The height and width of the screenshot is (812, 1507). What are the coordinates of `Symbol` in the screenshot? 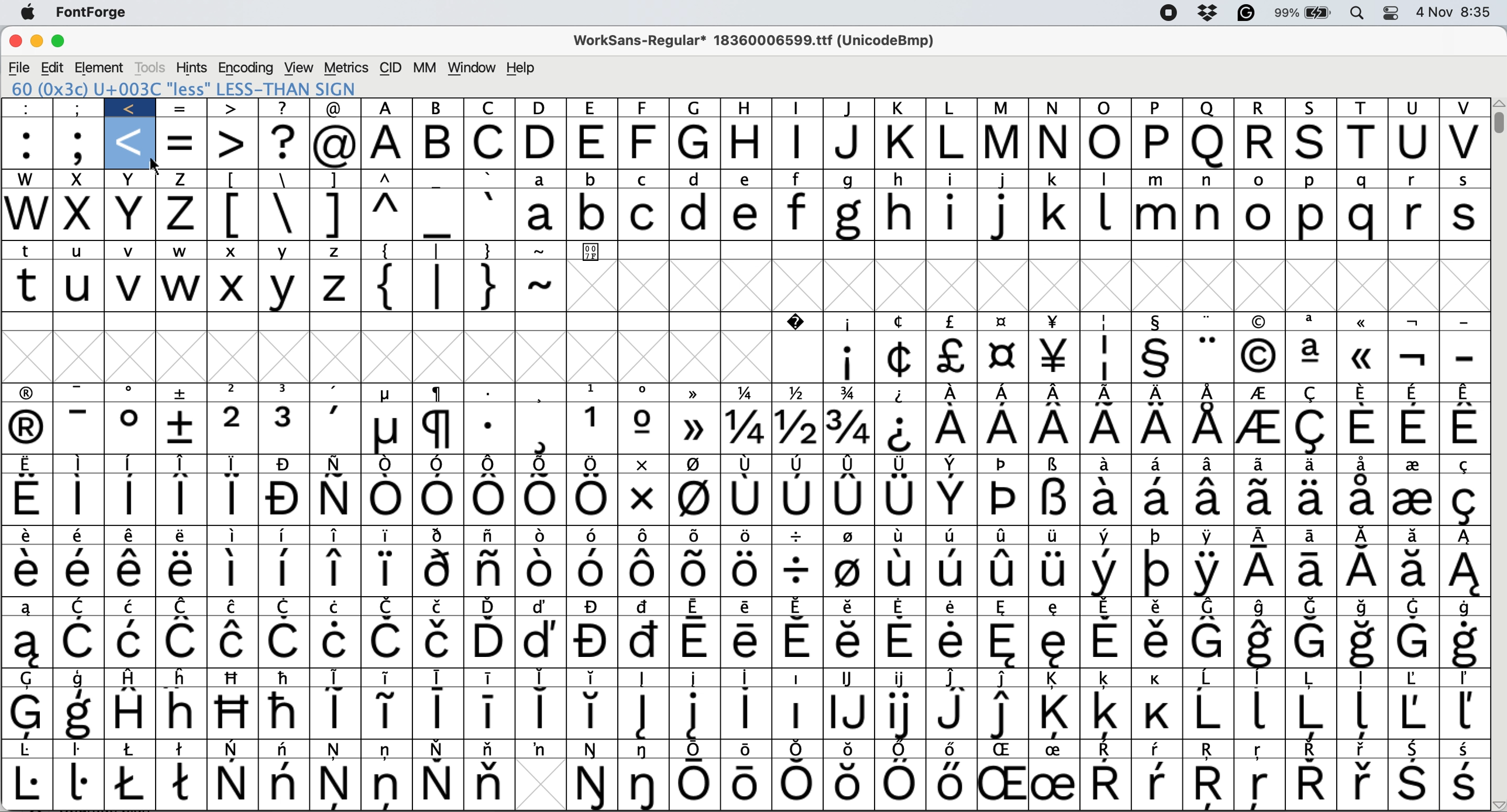 It's located at (184, 786).